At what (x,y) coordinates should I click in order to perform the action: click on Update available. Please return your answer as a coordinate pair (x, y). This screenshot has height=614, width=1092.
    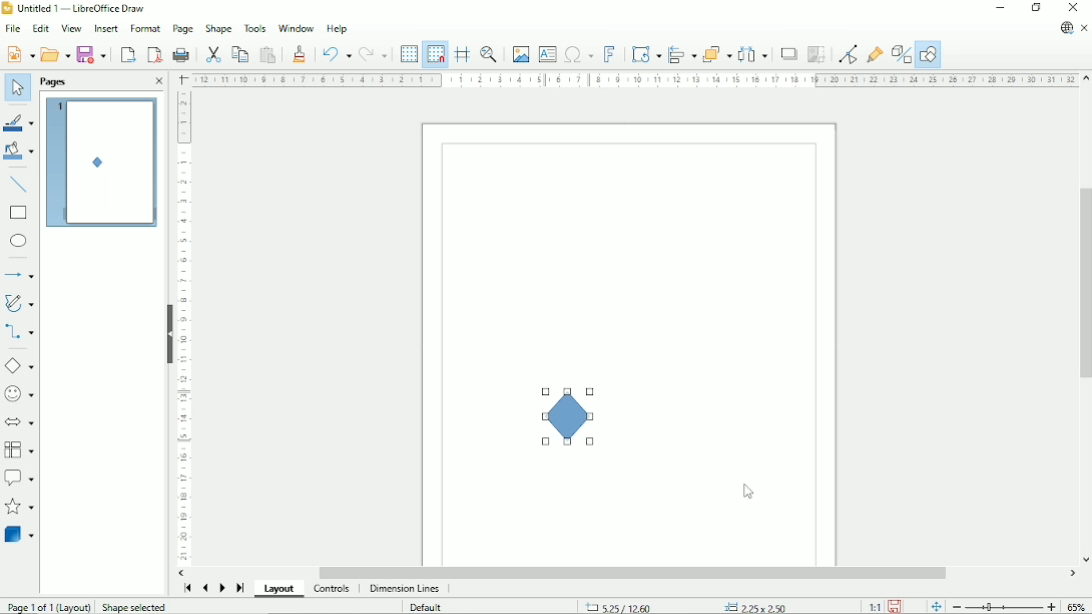
    Looking at the image, I should click on (1065, 28).